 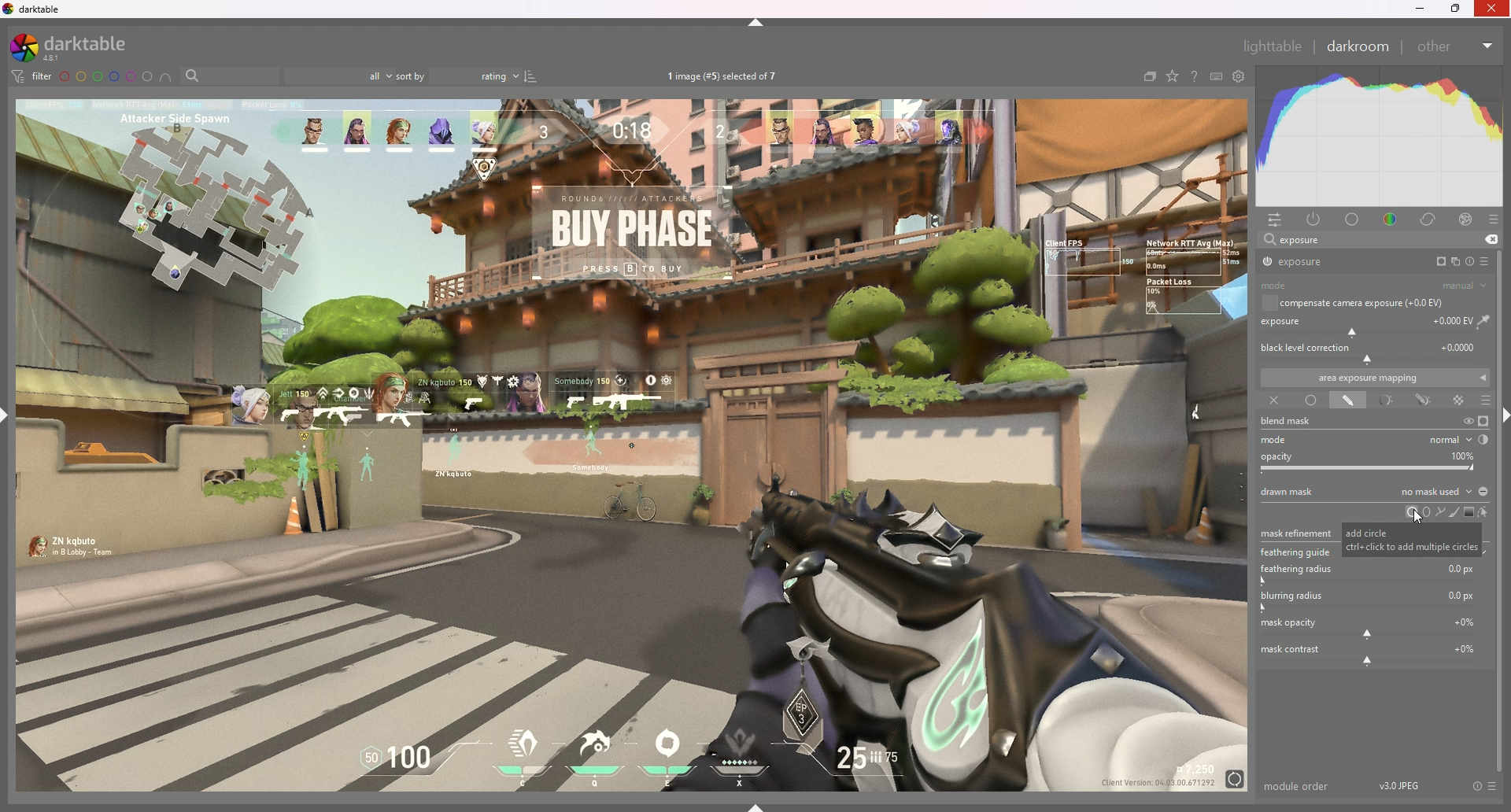 I want to click on scroll bar, so click(x=1505, y=509).